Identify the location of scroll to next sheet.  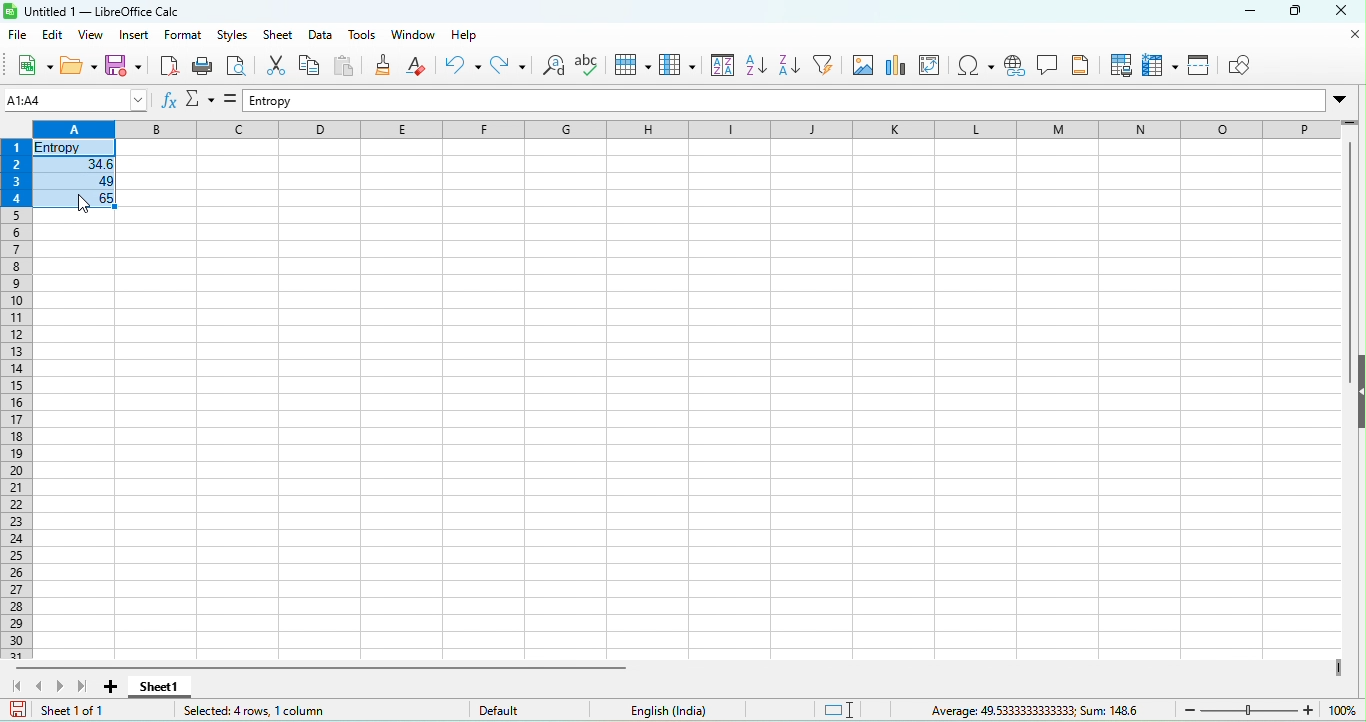
(65, 682).